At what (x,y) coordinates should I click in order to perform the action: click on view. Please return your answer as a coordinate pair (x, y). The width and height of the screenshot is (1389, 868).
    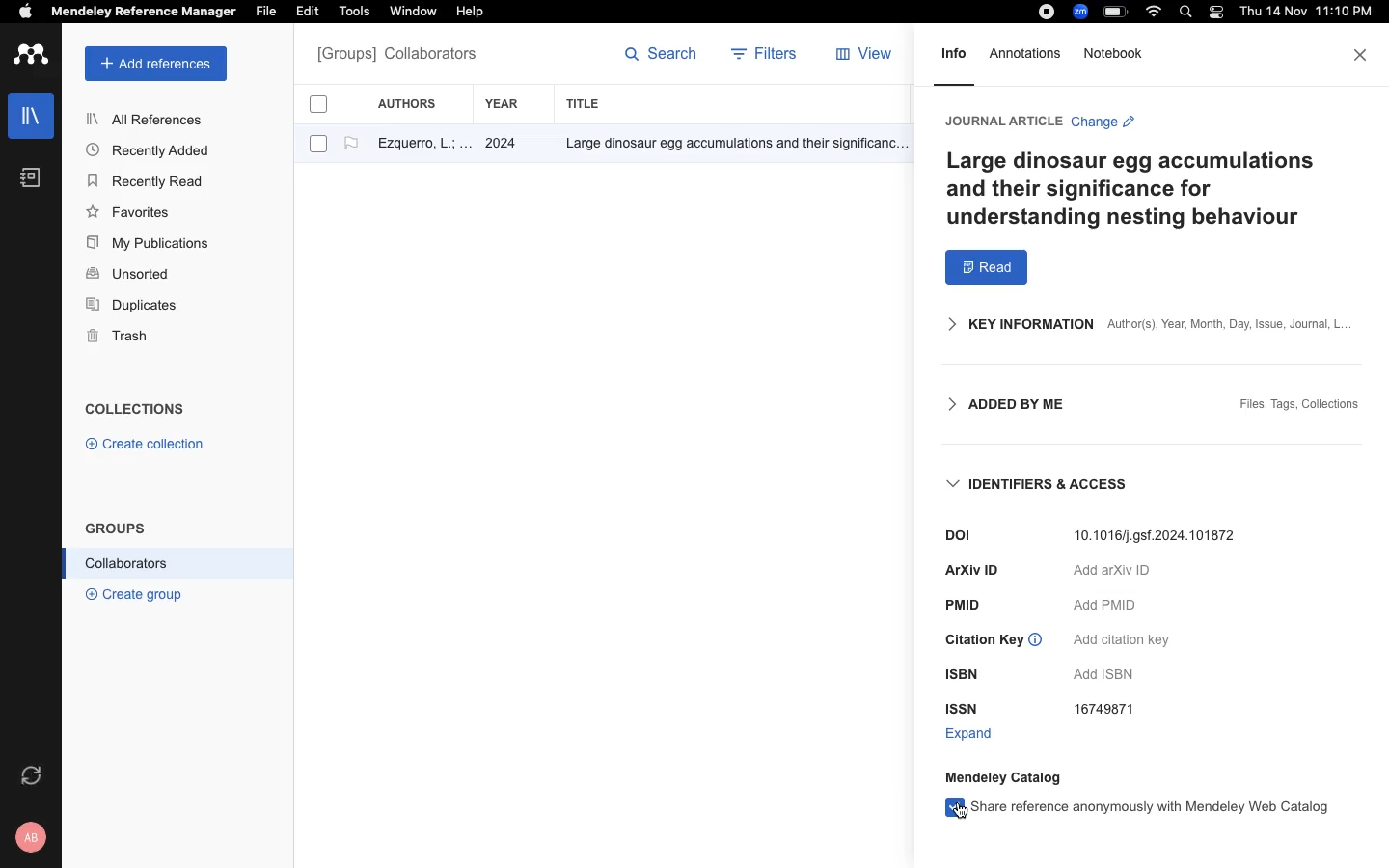
    Looking at the image, I should click on (868, 58).